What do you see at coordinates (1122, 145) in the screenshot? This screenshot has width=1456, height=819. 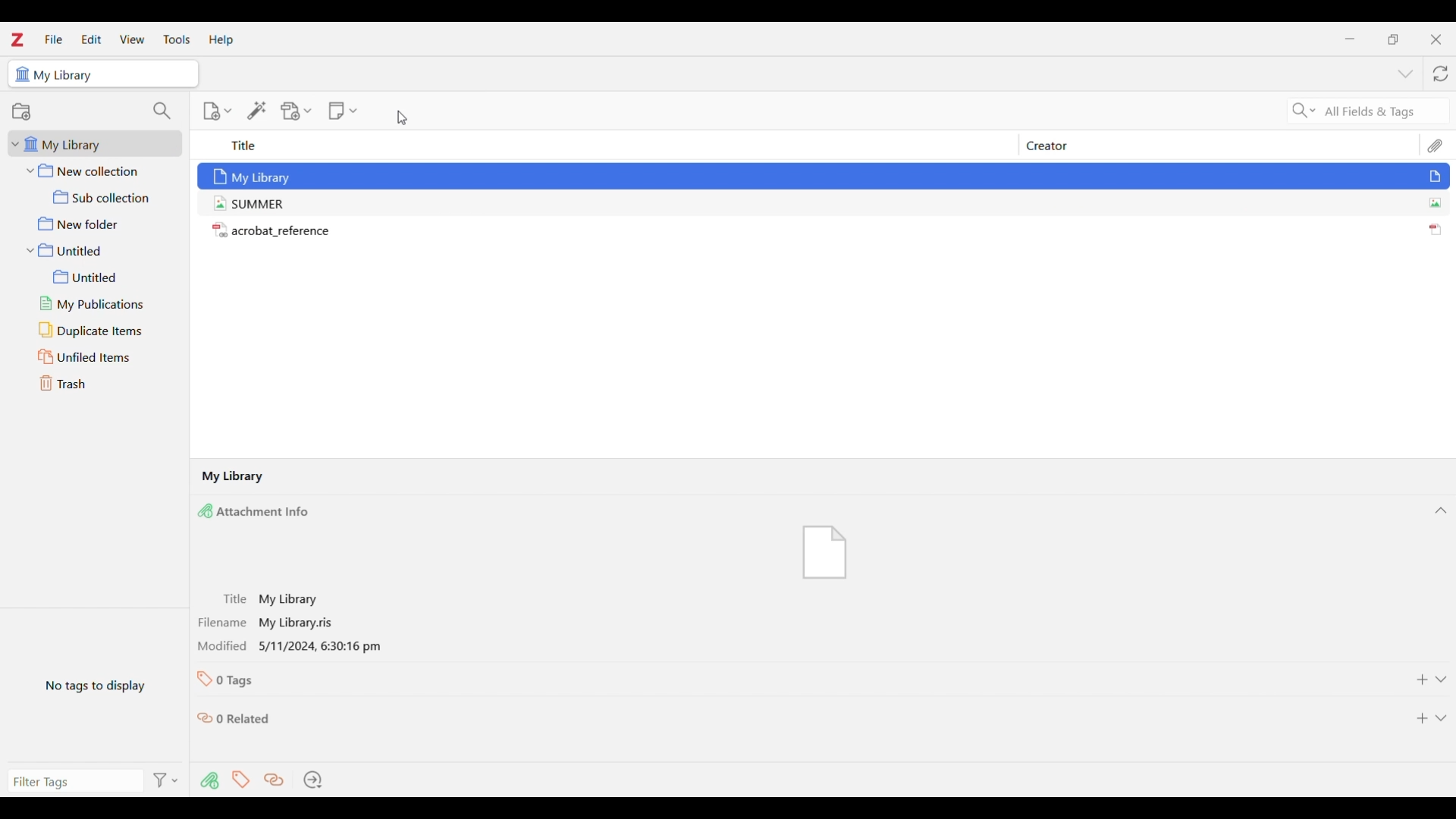 I see `Creator` at bounding box center [1122, 145].